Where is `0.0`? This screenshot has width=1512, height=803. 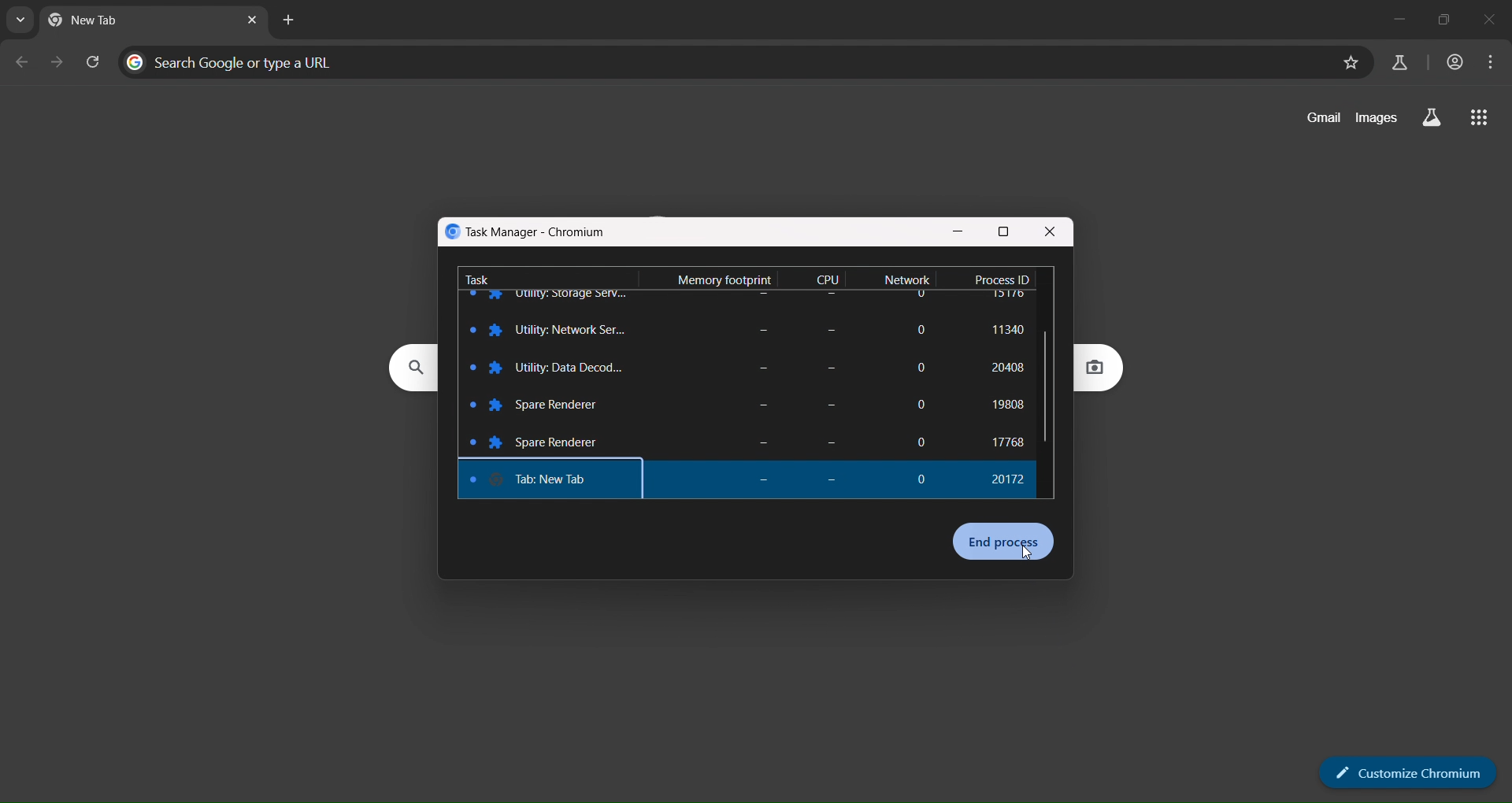
0.0 is located at coordinates (823, 441).